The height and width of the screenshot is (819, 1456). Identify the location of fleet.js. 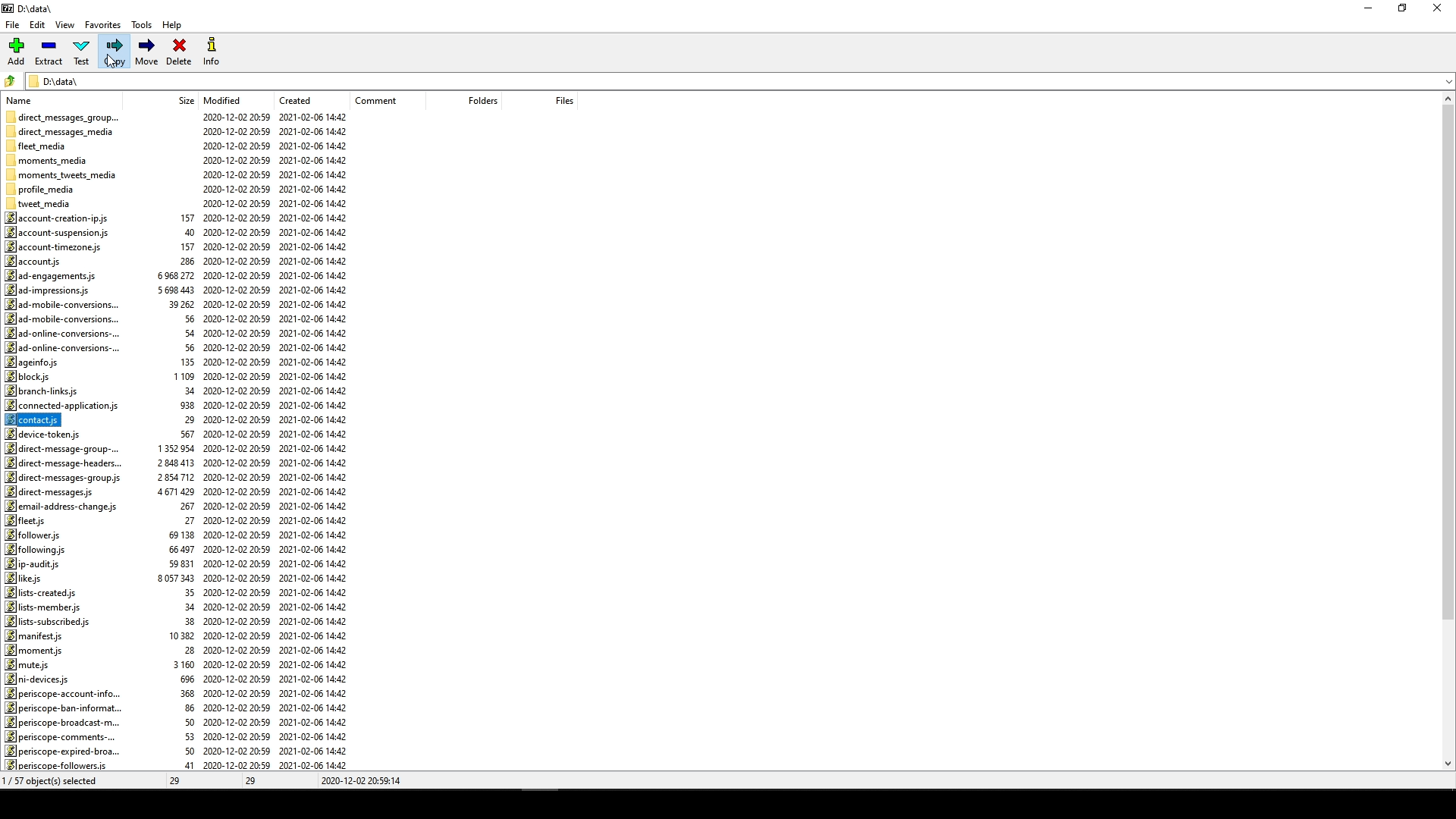
(28, 520).